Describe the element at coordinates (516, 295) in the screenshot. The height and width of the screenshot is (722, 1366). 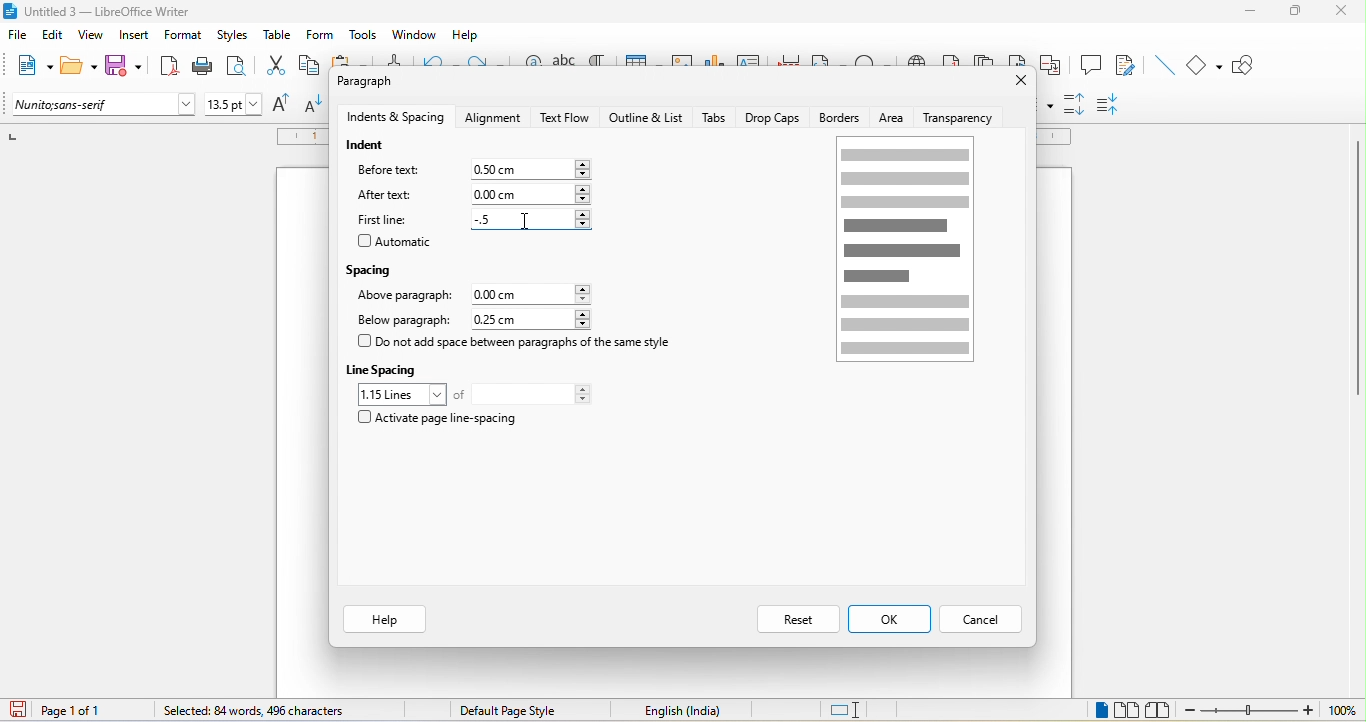
I see `0.00 cm` at that location.